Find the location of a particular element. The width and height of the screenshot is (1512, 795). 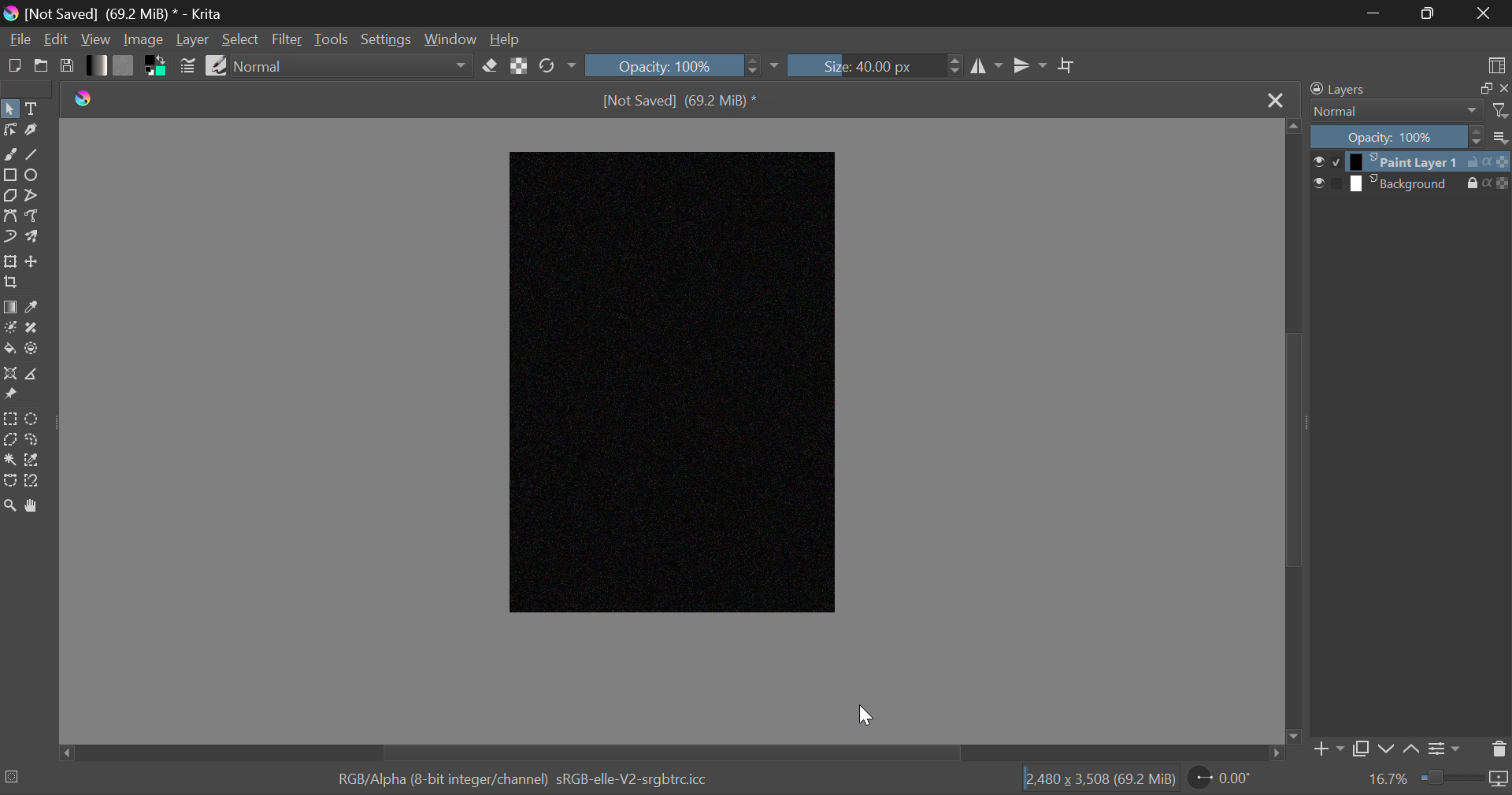

Horizontal Mirror Flip is located at coordinates (1031, 65).